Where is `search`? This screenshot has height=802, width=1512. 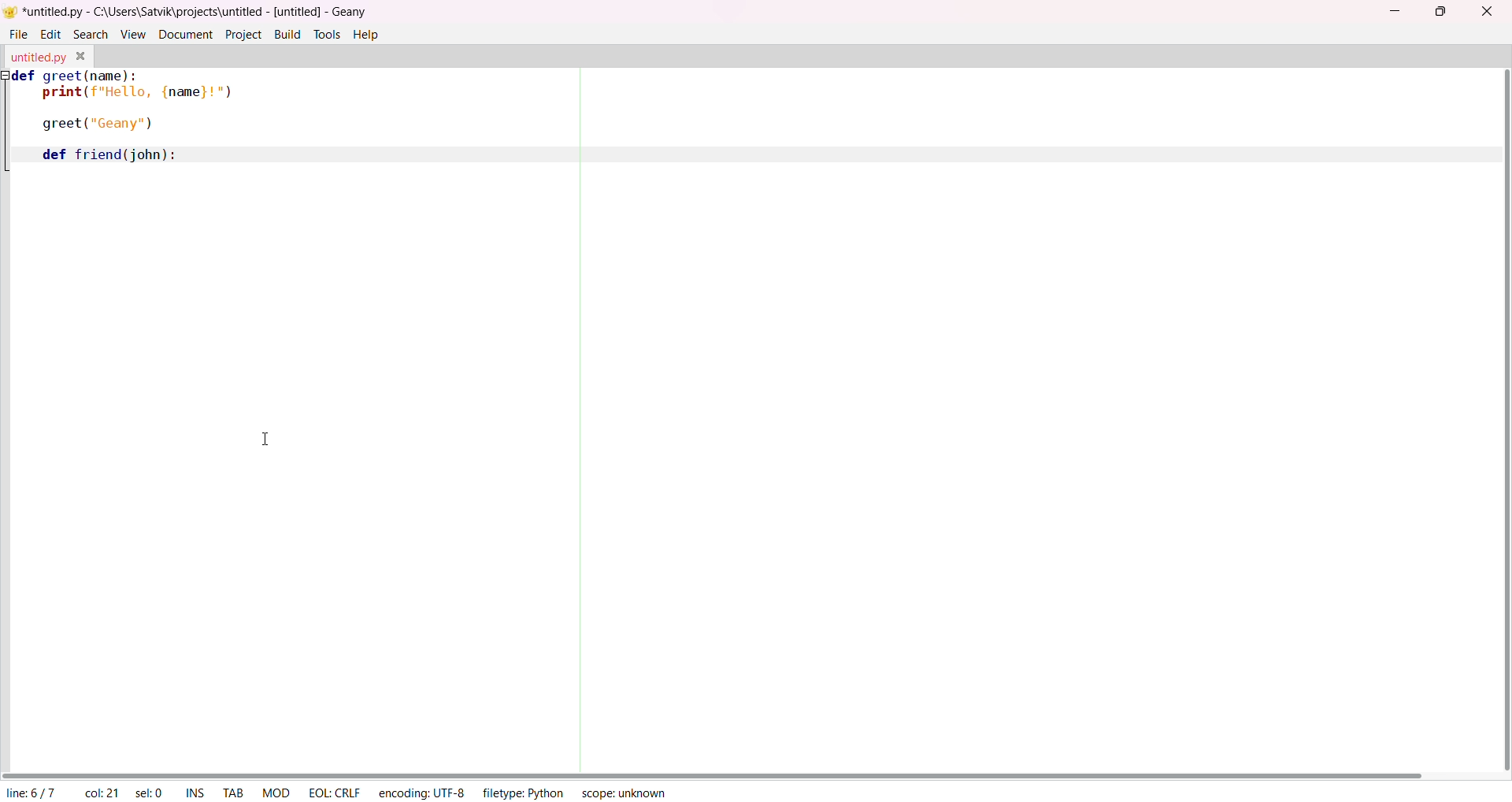 search is located at coordinates (91, 33).